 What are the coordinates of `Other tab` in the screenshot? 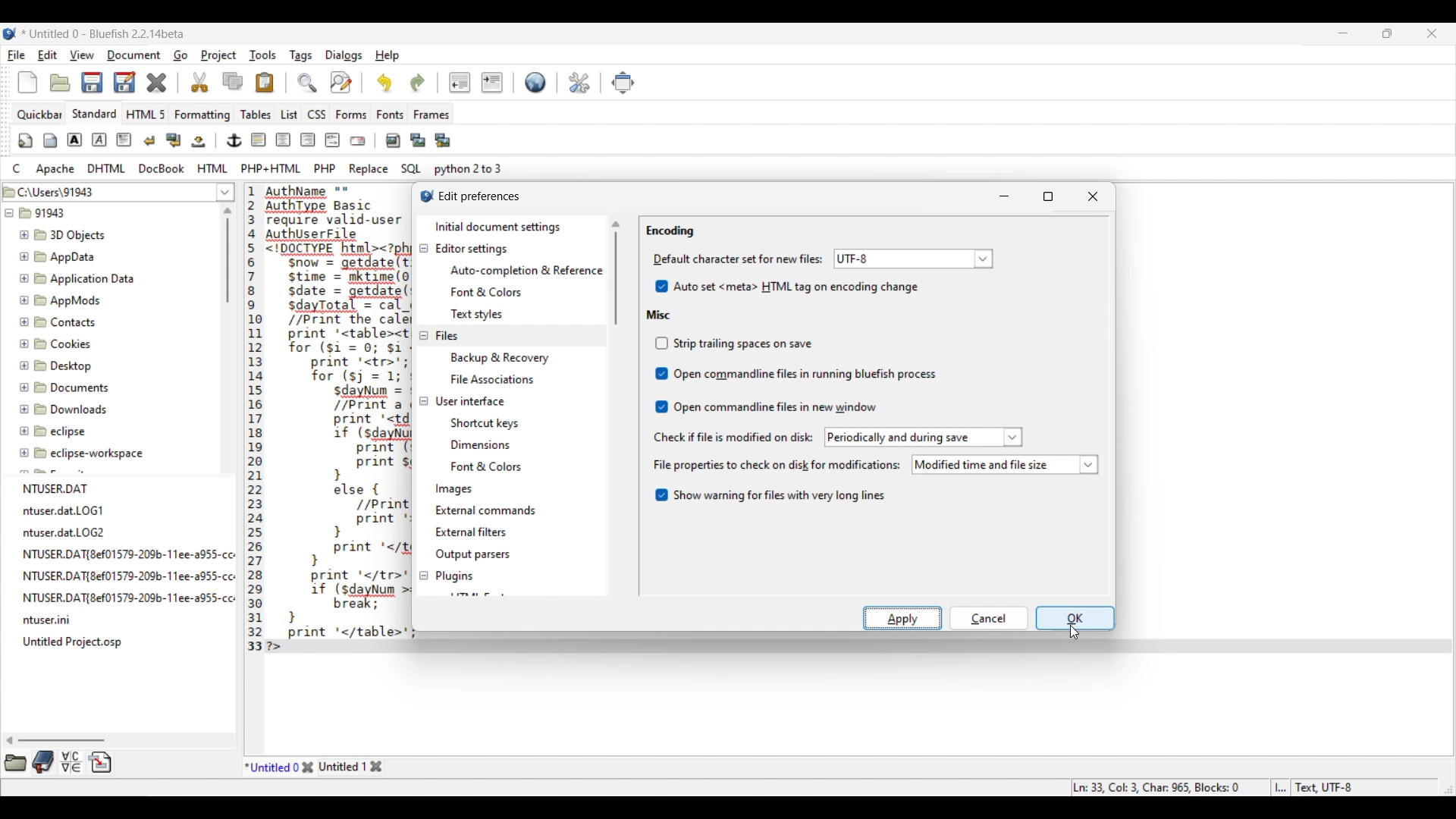 It's located at (350, 766).